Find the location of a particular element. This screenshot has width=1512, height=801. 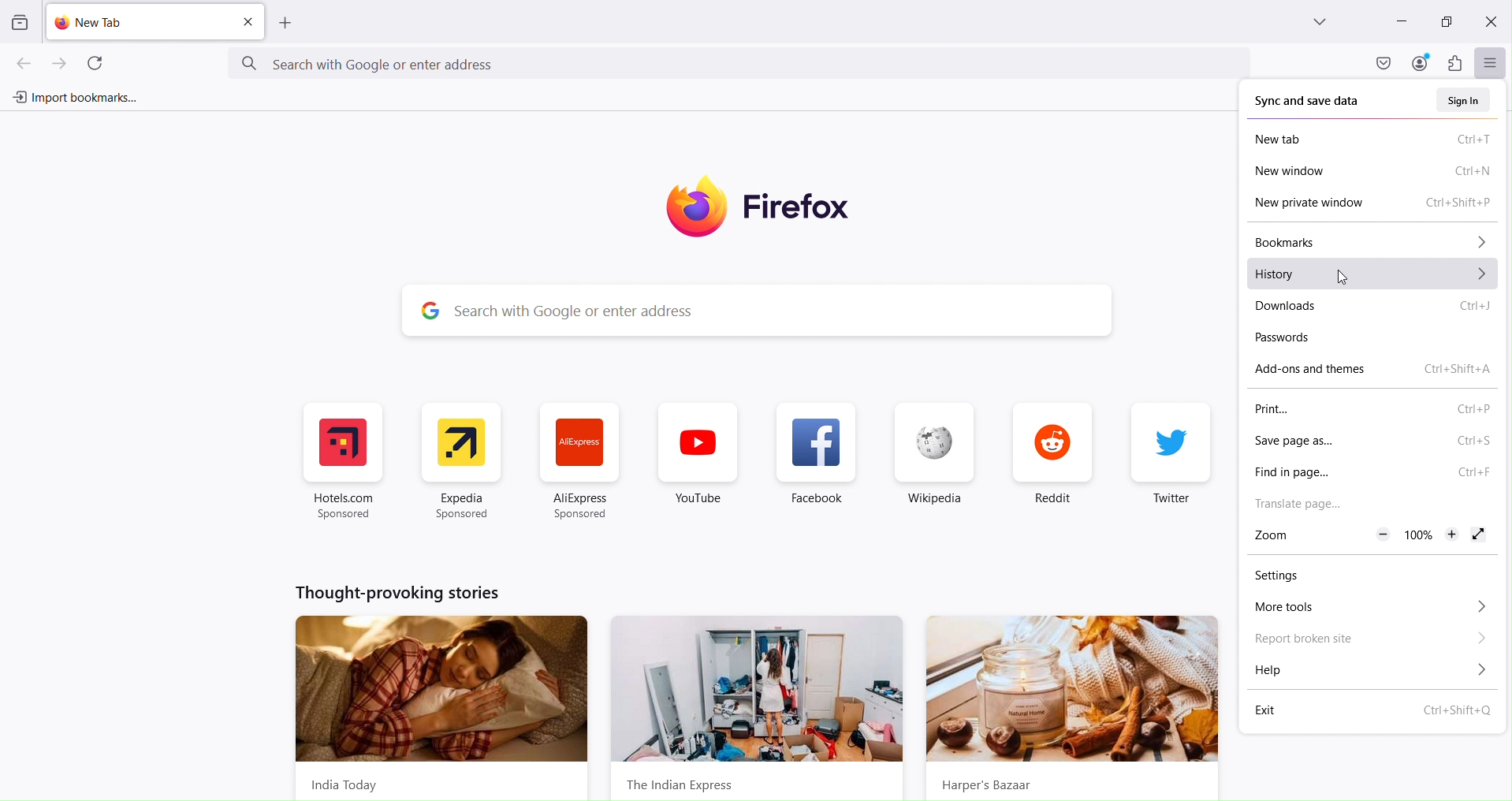

Go forward one page  is located at coordinates (63, 61).